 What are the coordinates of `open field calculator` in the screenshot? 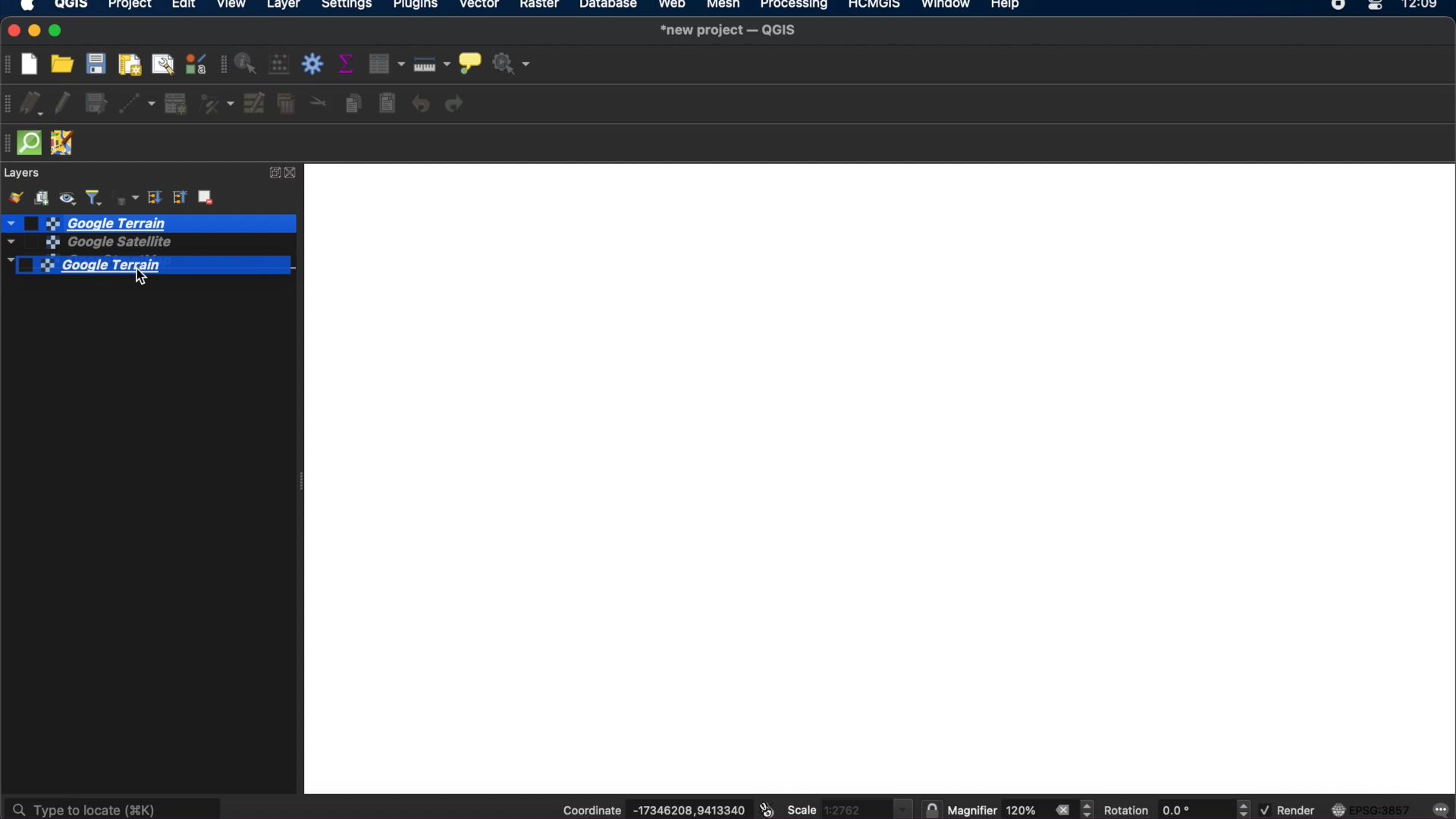 It's located at (281, 65).